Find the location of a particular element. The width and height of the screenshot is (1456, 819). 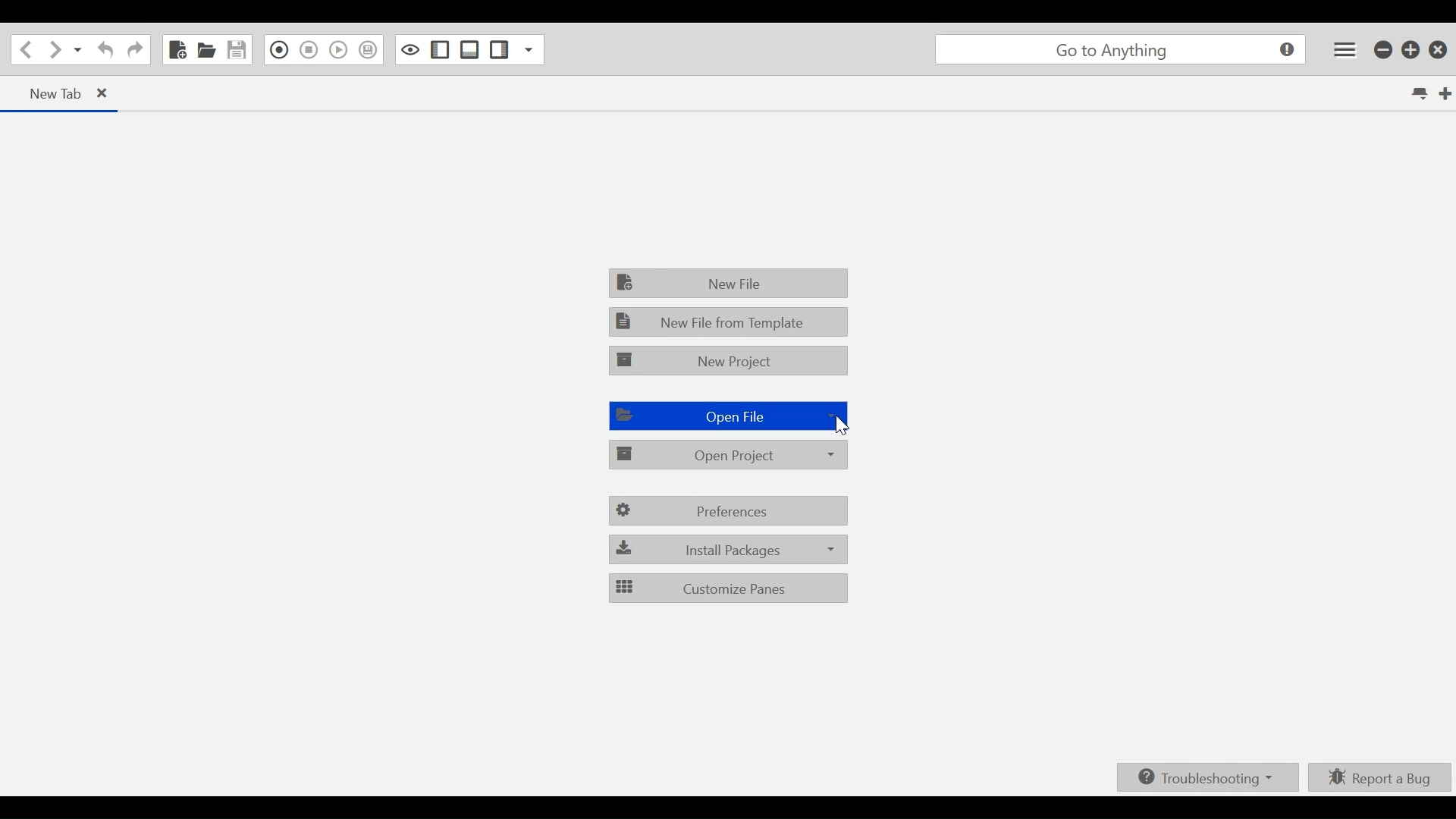

Undo Last Action is located at coordinates (103, 50).